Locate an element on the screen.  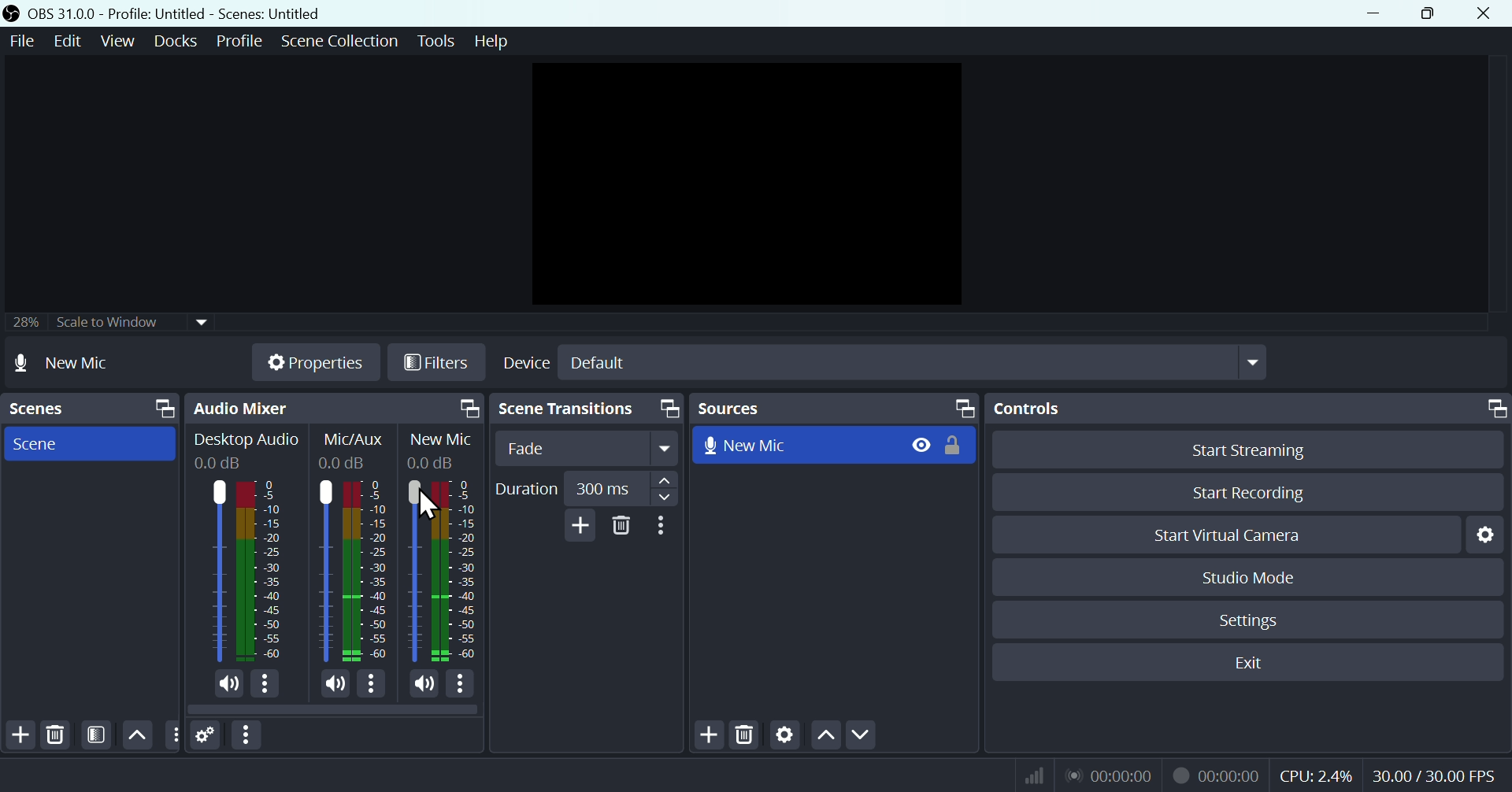
Studio mode is located at coordinates (1250, 577).